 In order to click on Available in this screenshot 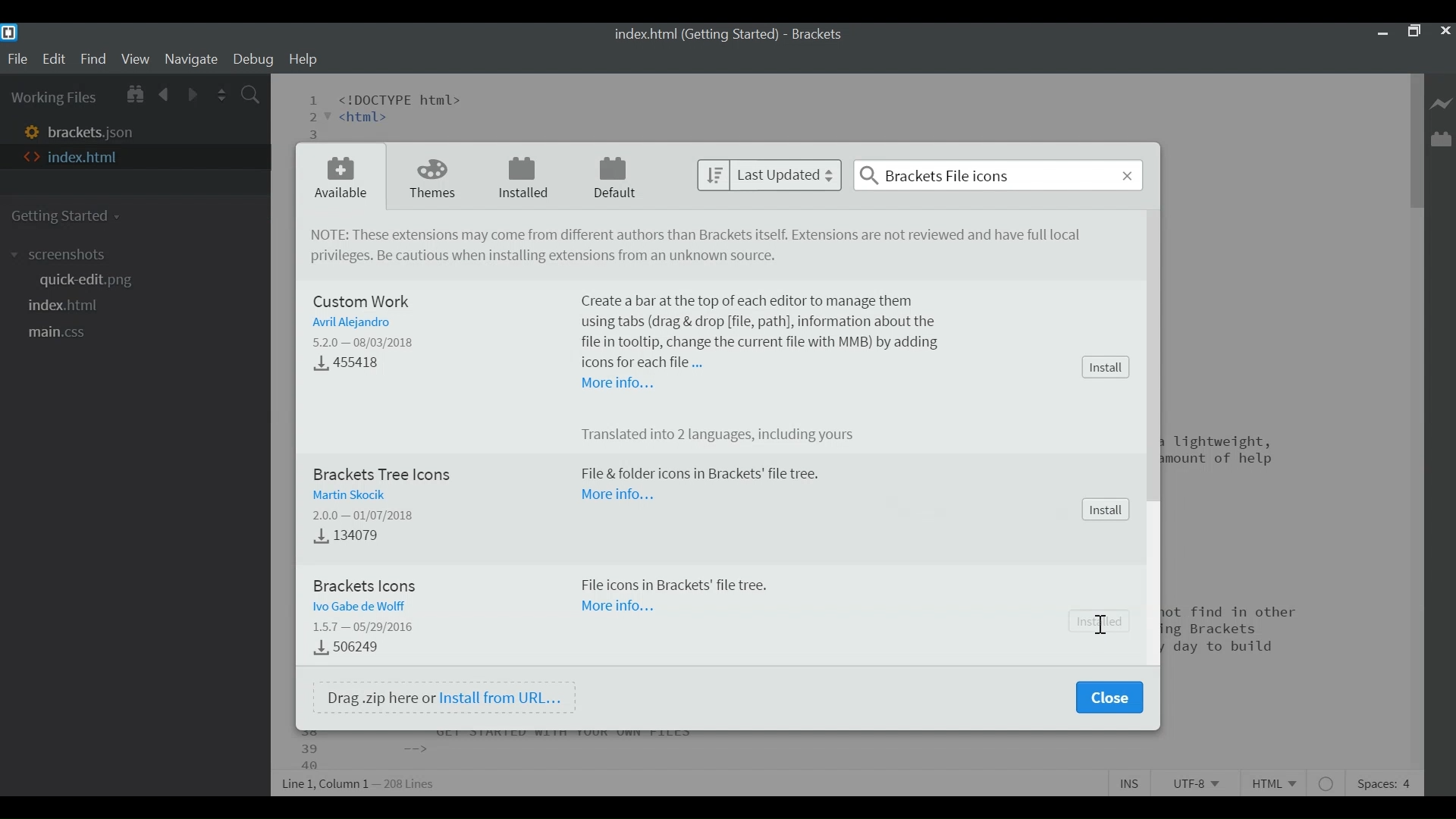, I will do `click(339, 178)`.